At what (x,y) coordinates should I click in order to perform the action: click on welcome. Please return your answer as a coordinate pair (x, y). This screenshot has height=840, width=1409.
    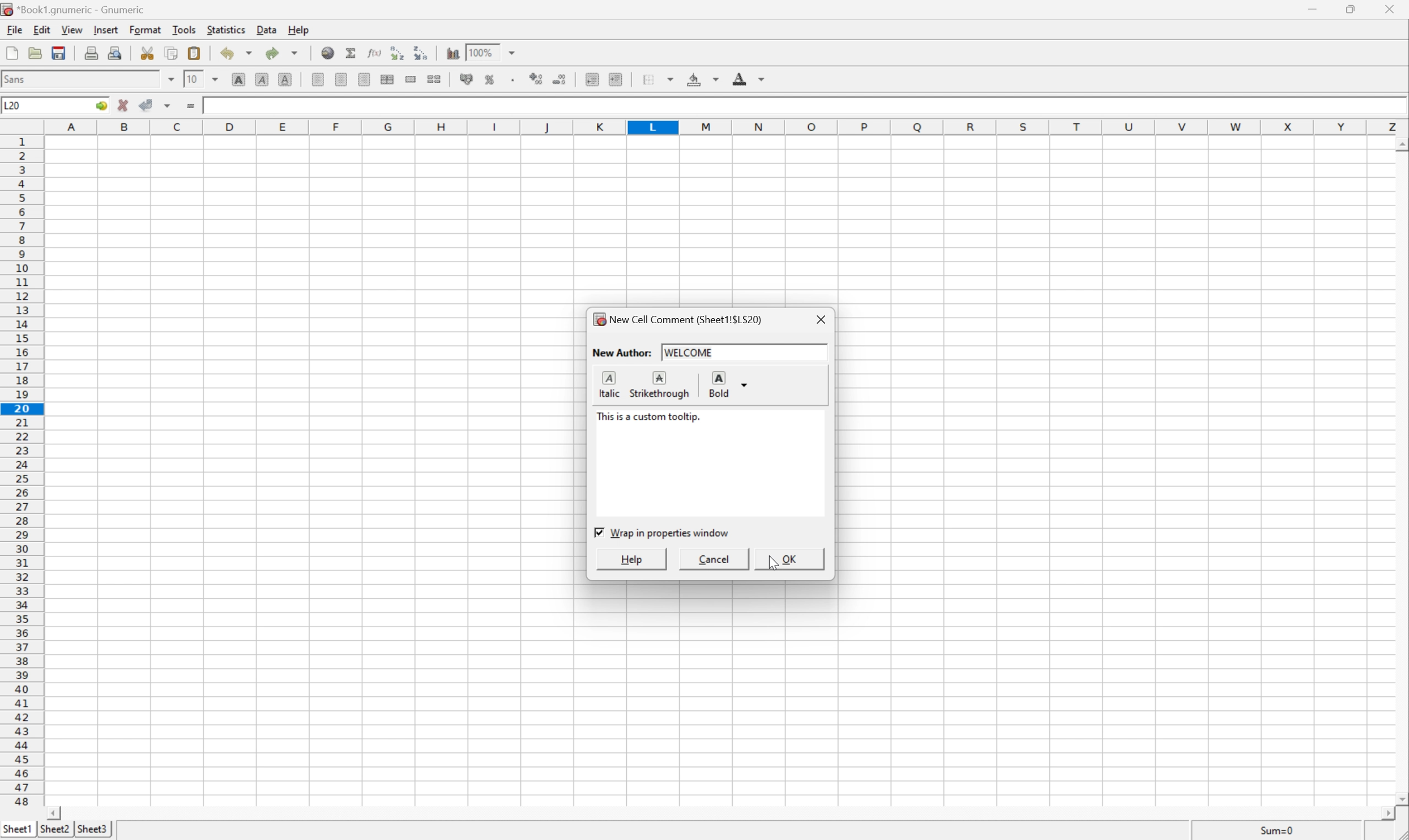
    Looking at the image, I should click on (688, 352).